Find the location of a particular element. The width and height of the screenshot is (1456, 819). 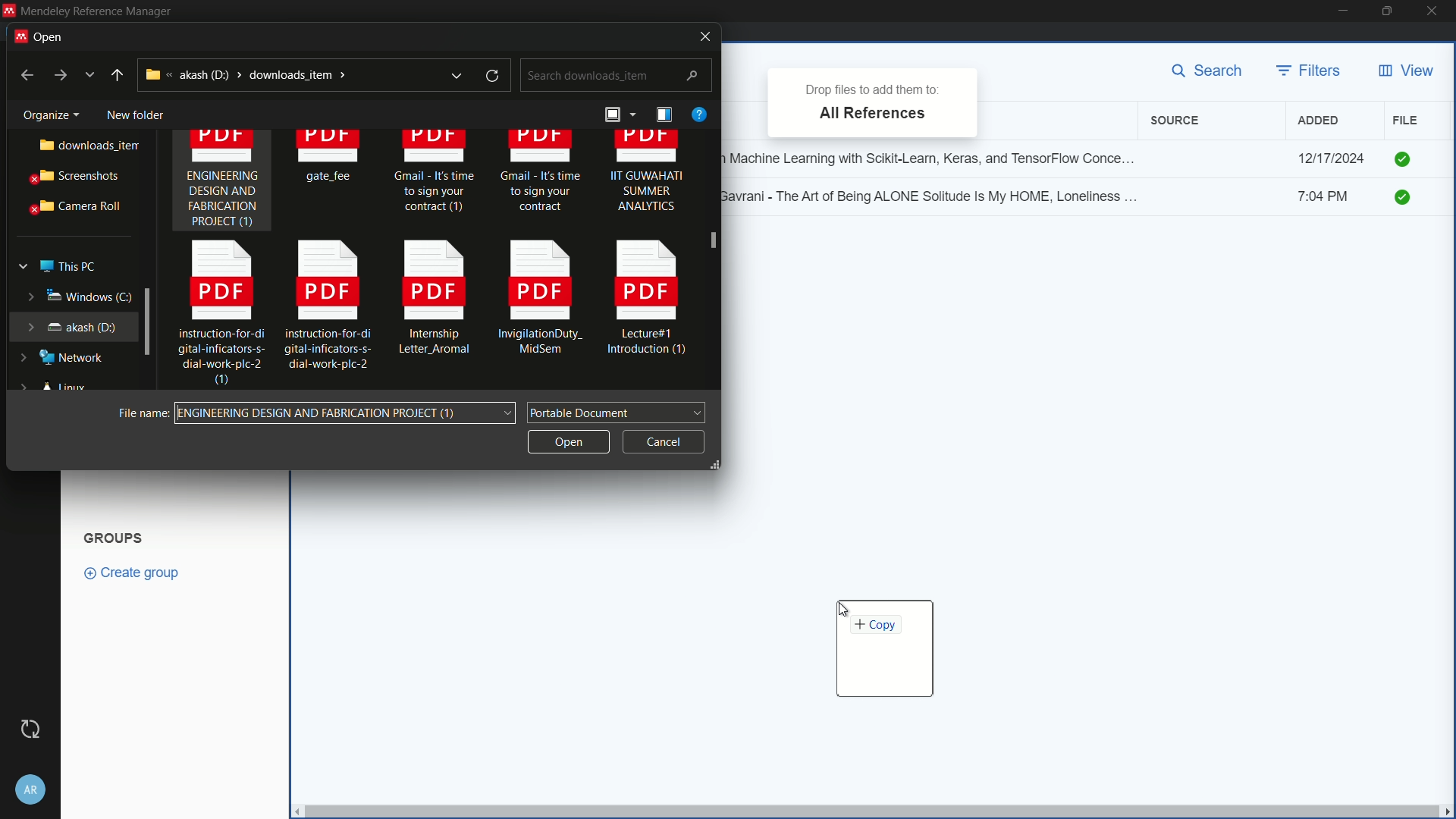

file is located at coordinates (1405, 120).